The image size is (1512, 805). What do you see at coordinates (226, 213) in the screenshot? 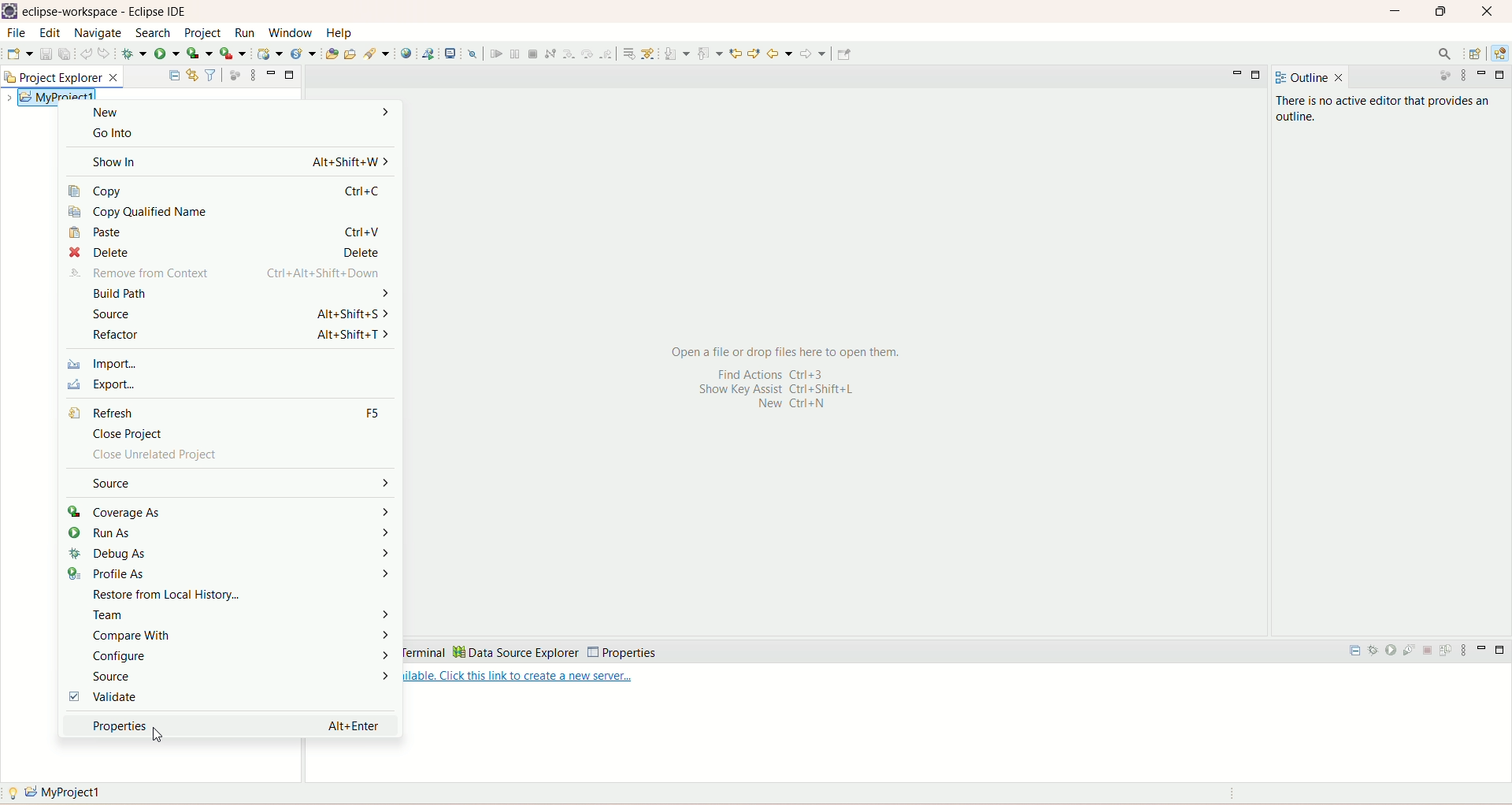
I see `copy qualified name` at bounding box center [226, 213].